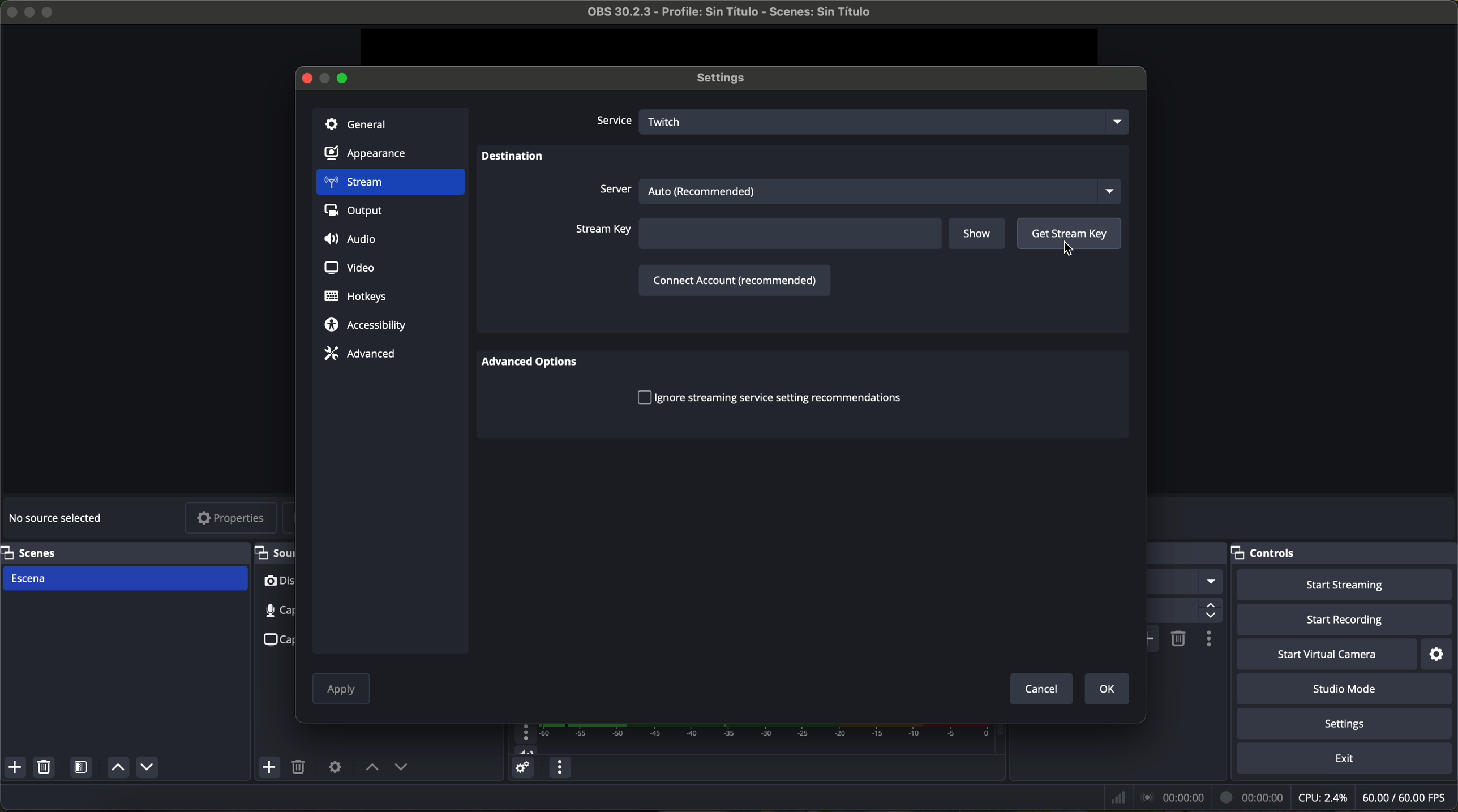  Describe the element at coordinates (558, 768) in the screenshot. I see `audio mixer menu` at that location.